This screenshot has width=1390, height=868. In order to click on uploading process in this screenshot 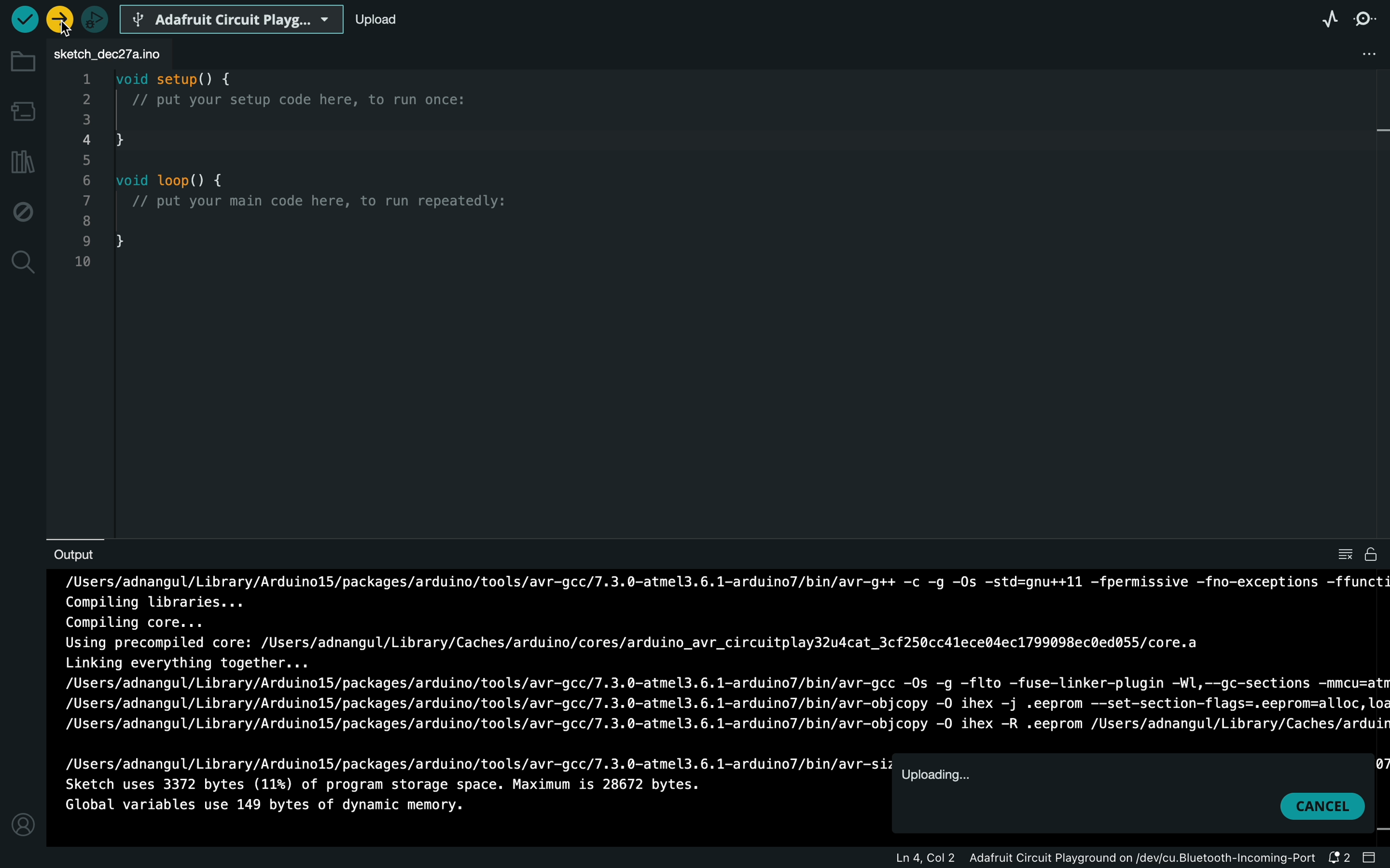, I will do `click(721, 662)`.